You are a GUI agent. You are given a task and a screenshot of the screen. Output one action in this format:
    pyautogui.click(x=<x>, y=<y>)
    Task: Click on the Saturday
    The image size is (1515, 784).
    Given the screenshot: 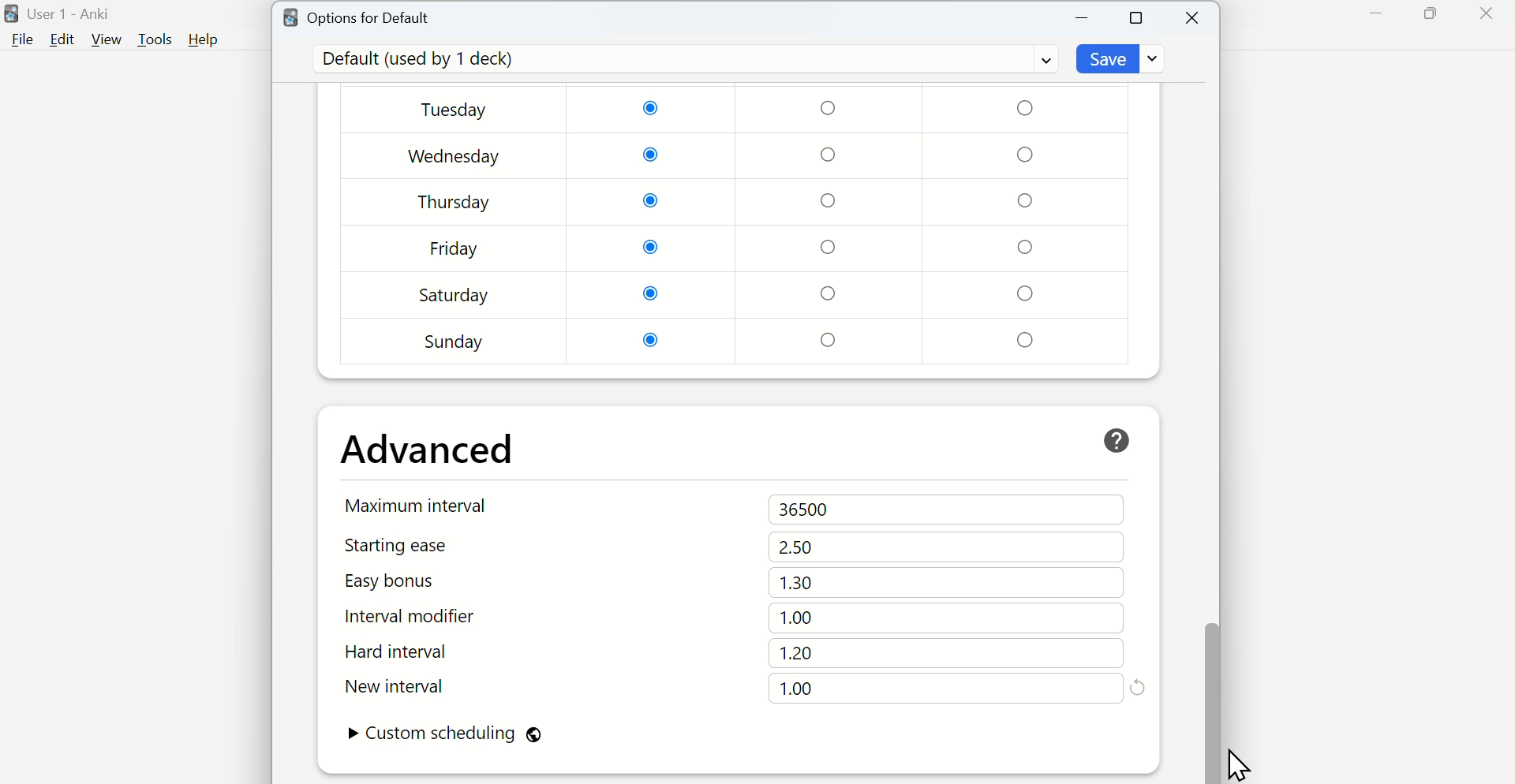 What is the action you would take?
    pyautogui.click(x=454, y=295)
    